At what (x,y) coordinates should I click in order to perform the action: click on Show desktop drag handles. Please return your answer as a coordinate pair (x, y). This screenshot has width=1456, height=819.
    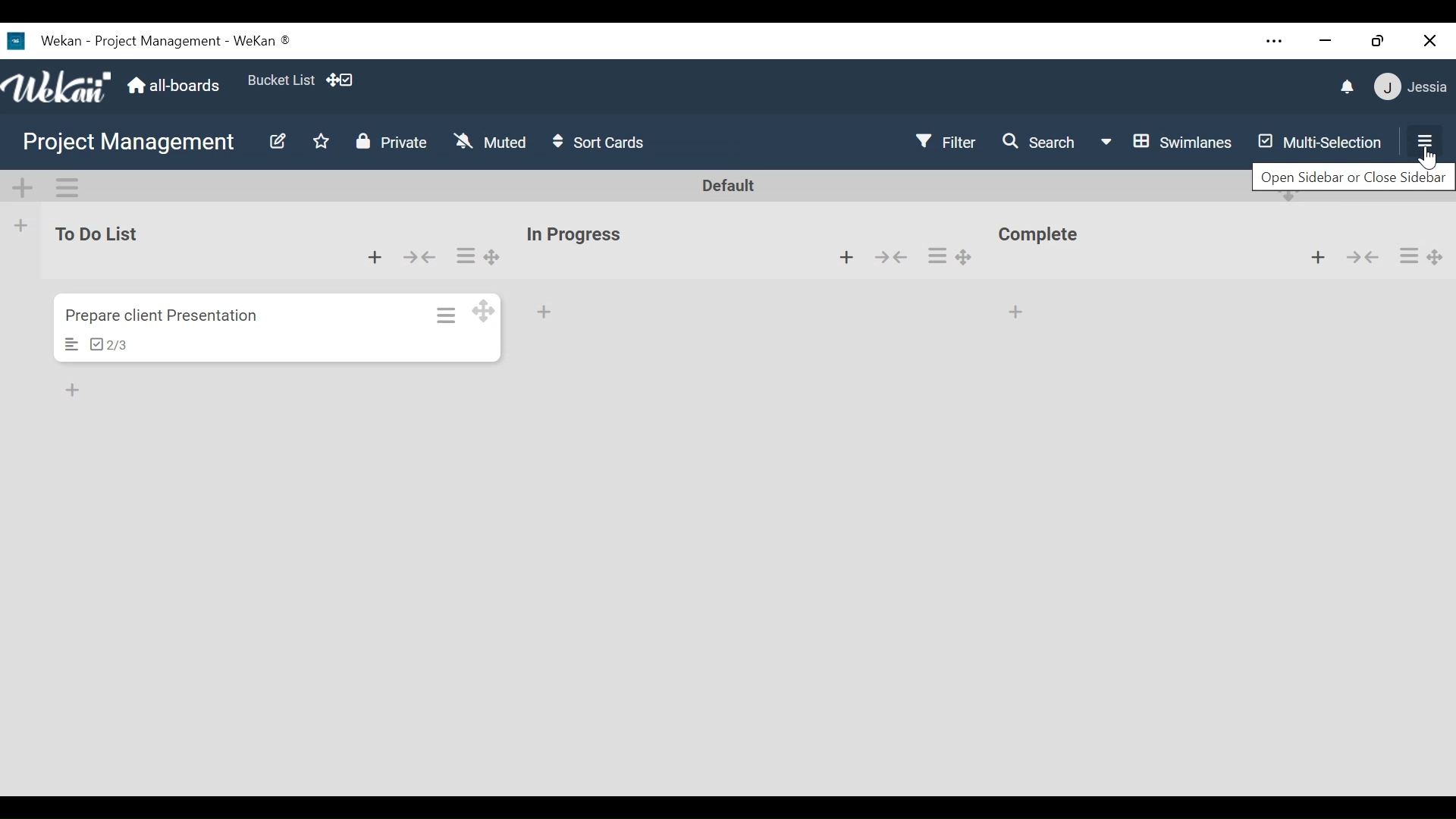
    Looking at the image, I should click on (344, 81).